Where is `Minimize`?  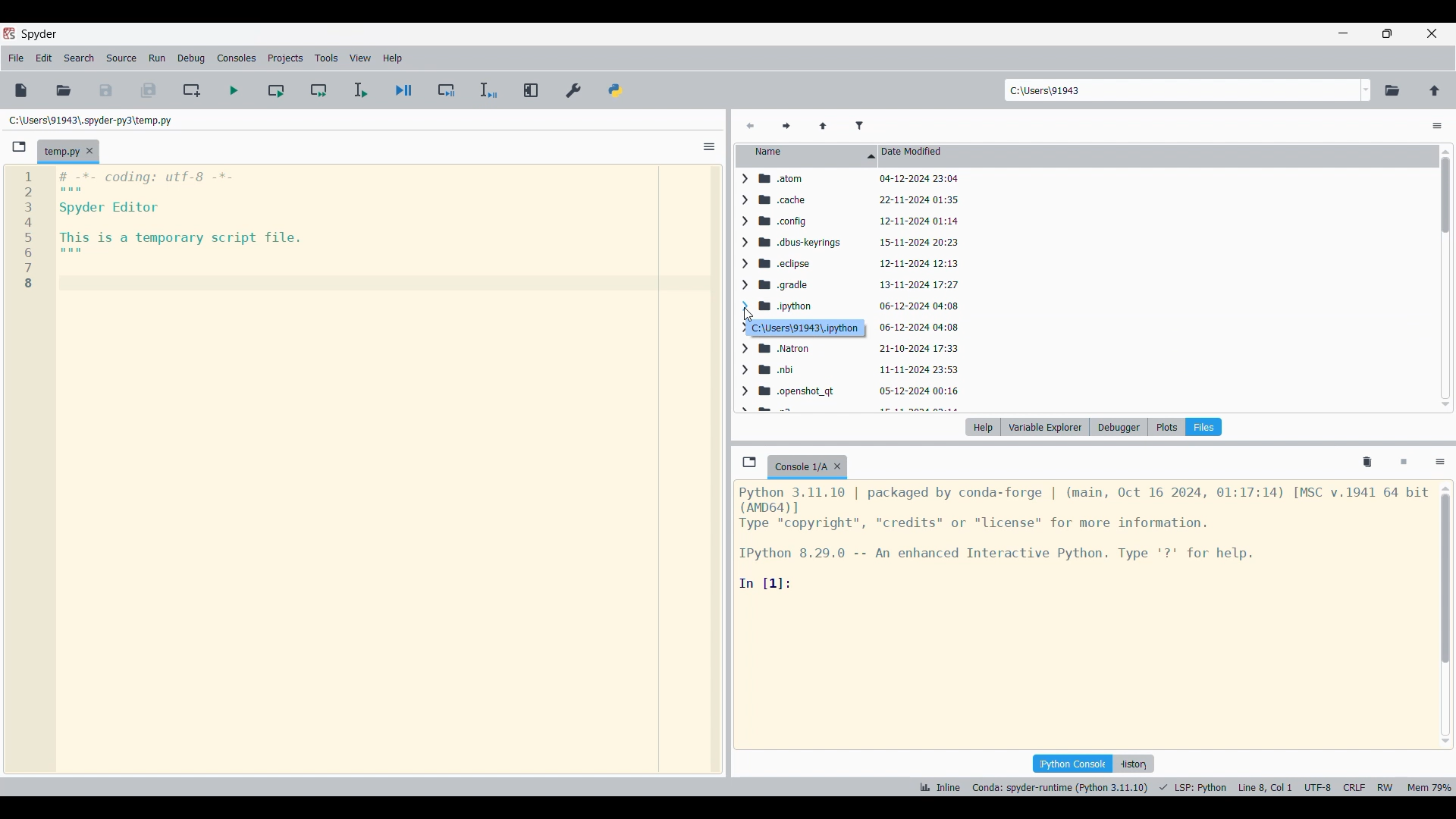 Minimize is located at coordinates (1343, 33).